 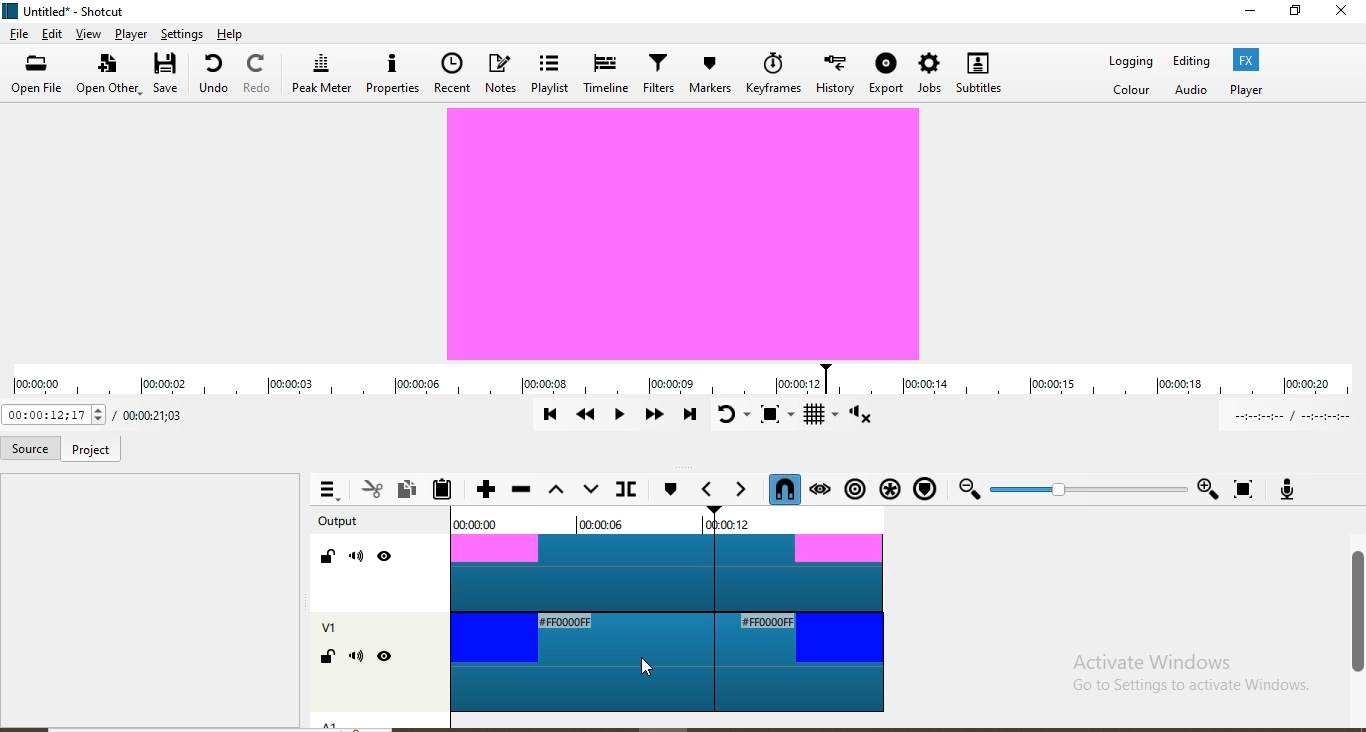 What do you see at coordinates (1243, 90) in the screenshot?
I see `Player` at bounding box center [1243, 90].